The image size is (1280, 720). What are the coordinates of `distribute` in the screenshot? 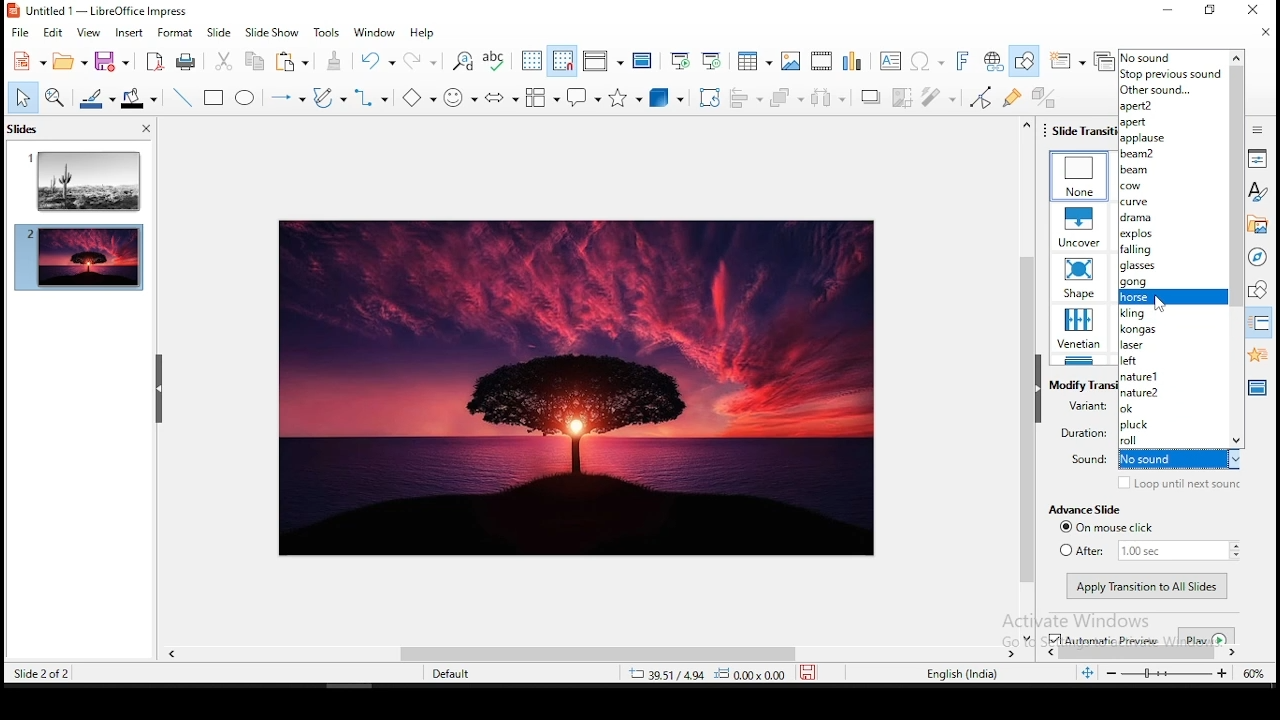 It's located at (831, 97).